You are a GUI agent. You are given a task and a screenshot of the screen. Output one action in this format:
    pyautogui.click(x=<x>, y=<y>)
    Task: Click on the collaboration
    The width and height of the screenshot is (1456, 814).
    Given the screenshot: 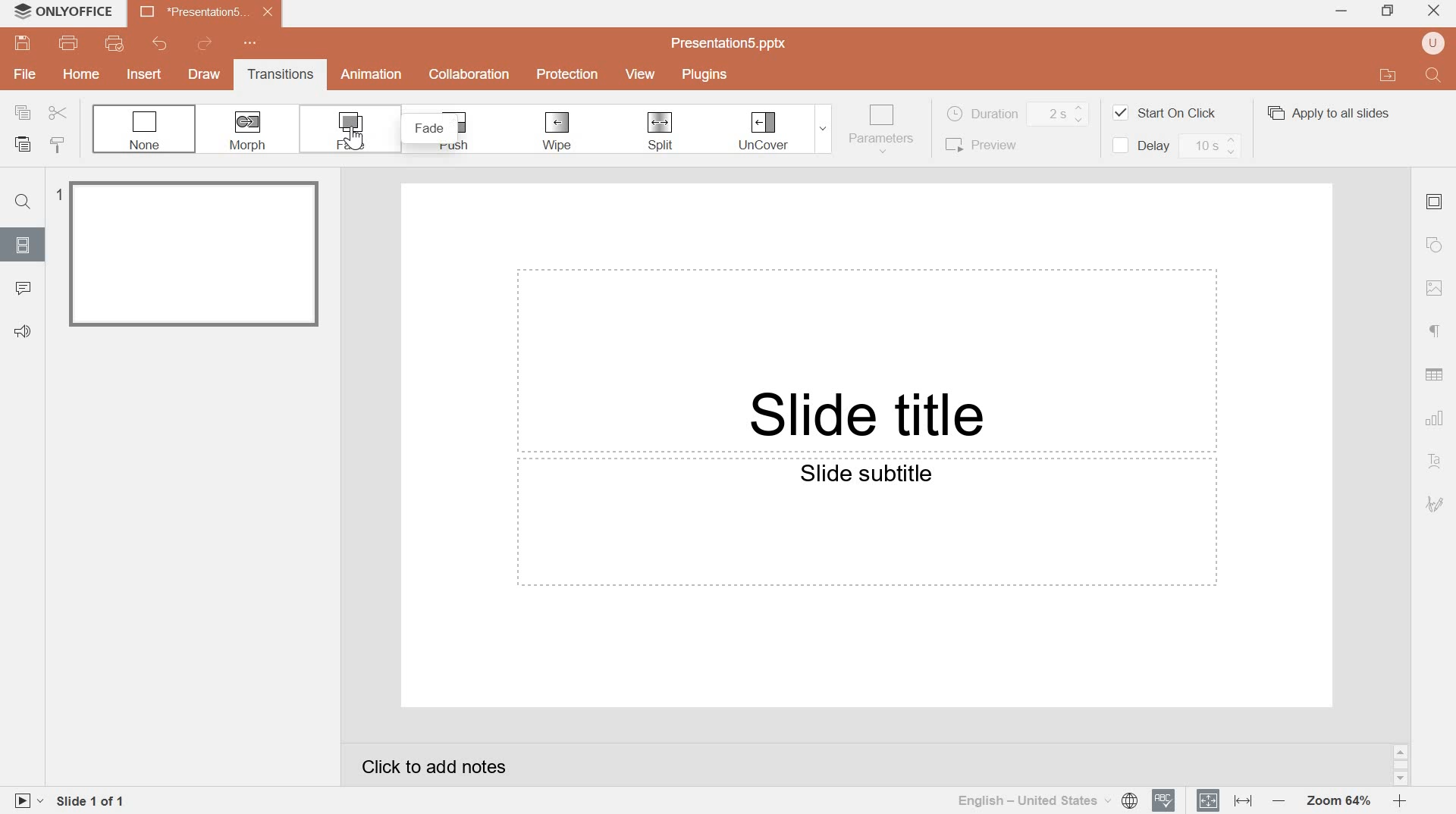 What is the action you would take?
    pyautogui.click(x=469, y=75)
    